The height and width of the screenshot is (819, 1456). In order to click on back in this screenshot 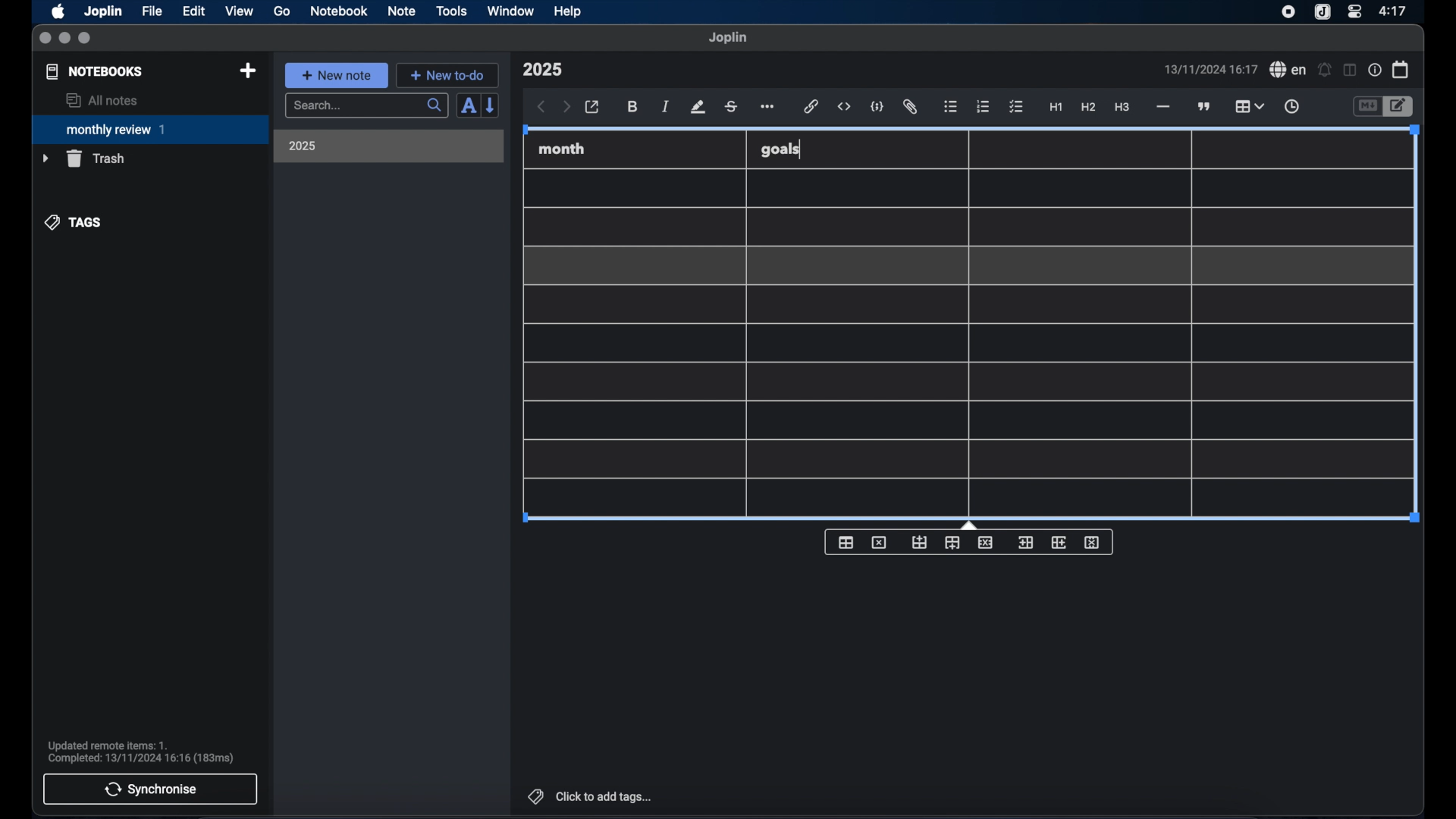, I will do `click(541, 107)`.